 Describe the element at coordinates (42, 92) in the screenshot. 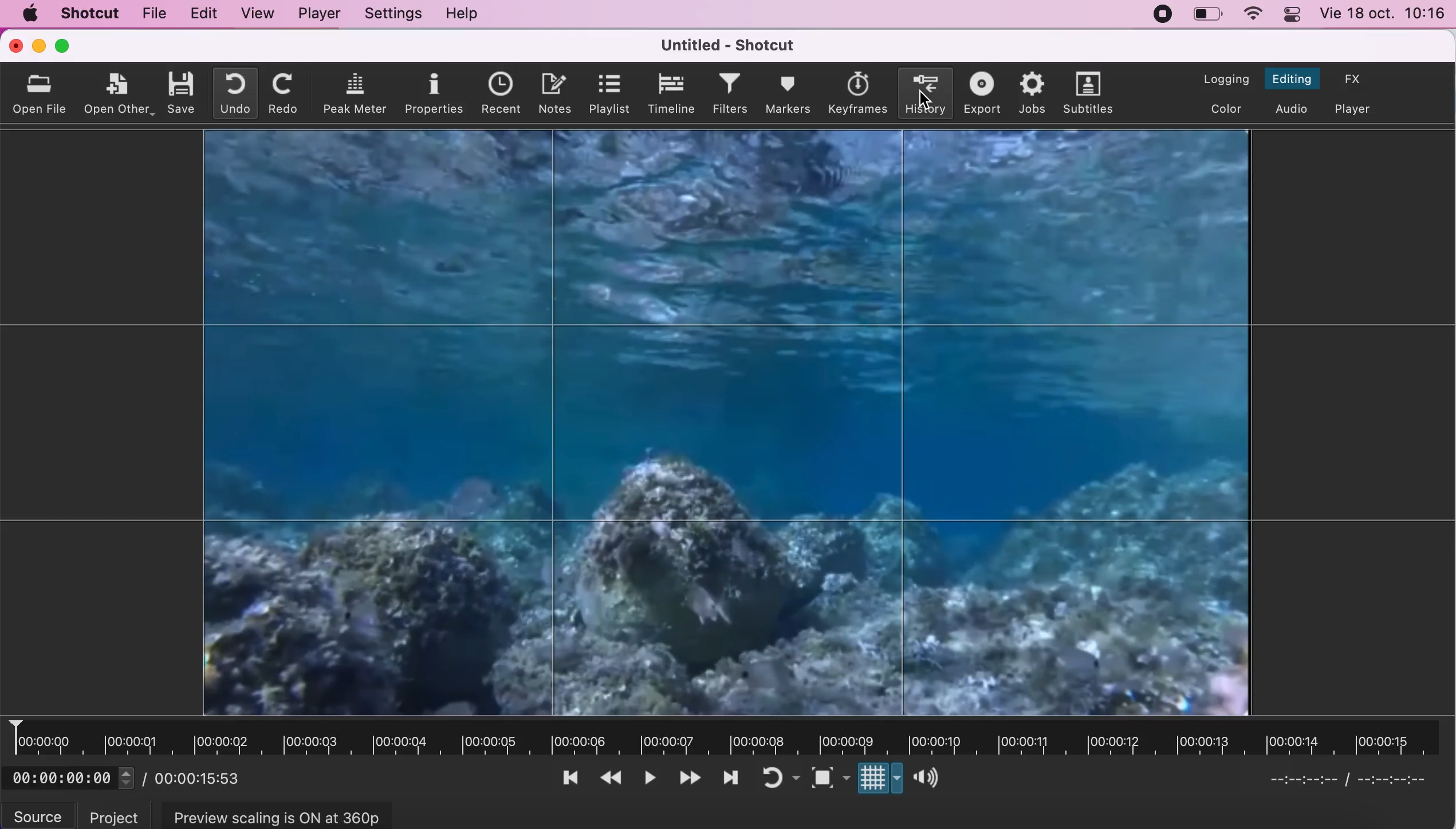

I see `open file` at that location.